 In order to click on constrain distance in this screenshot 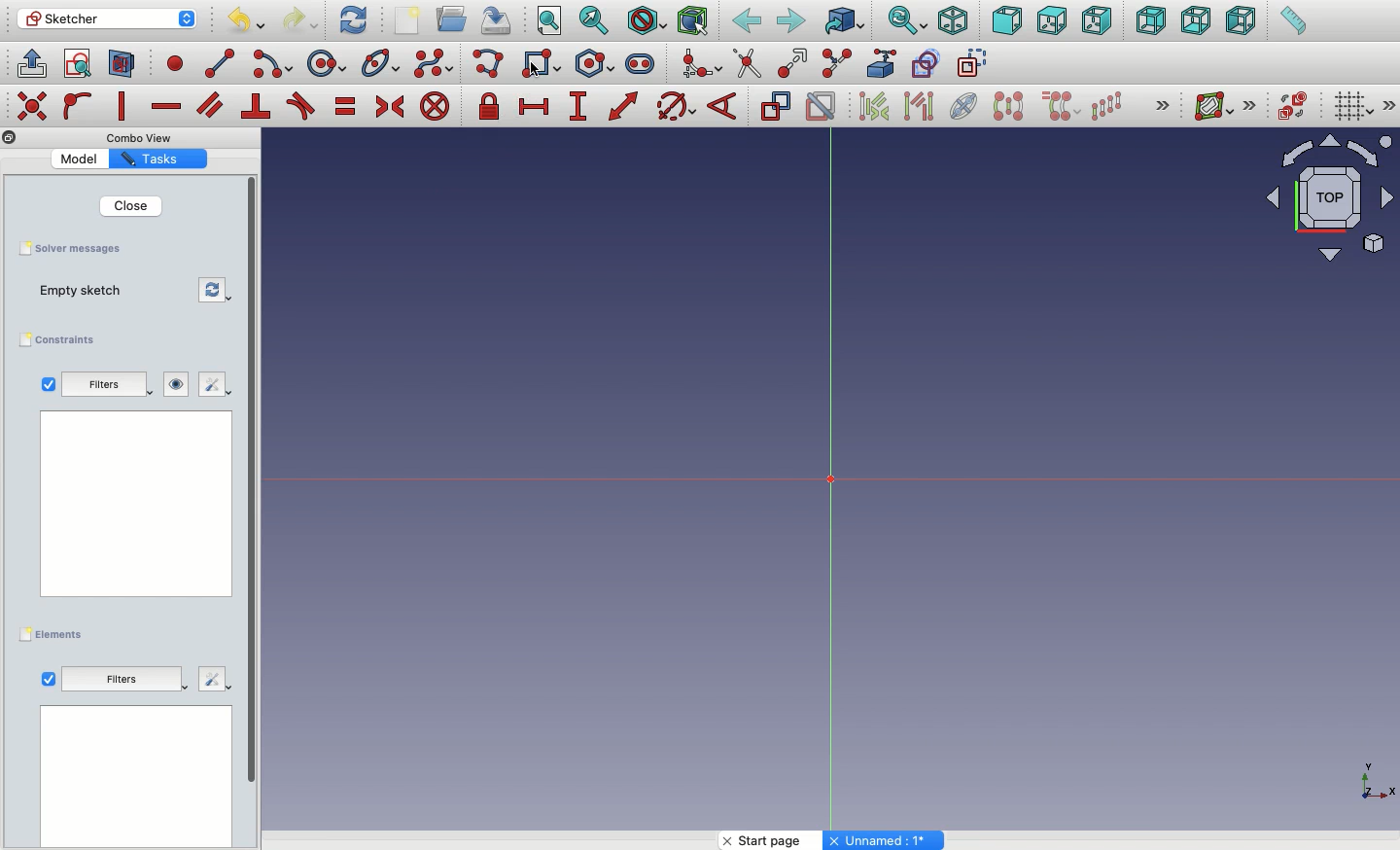, I will do `click(624, 106)`.